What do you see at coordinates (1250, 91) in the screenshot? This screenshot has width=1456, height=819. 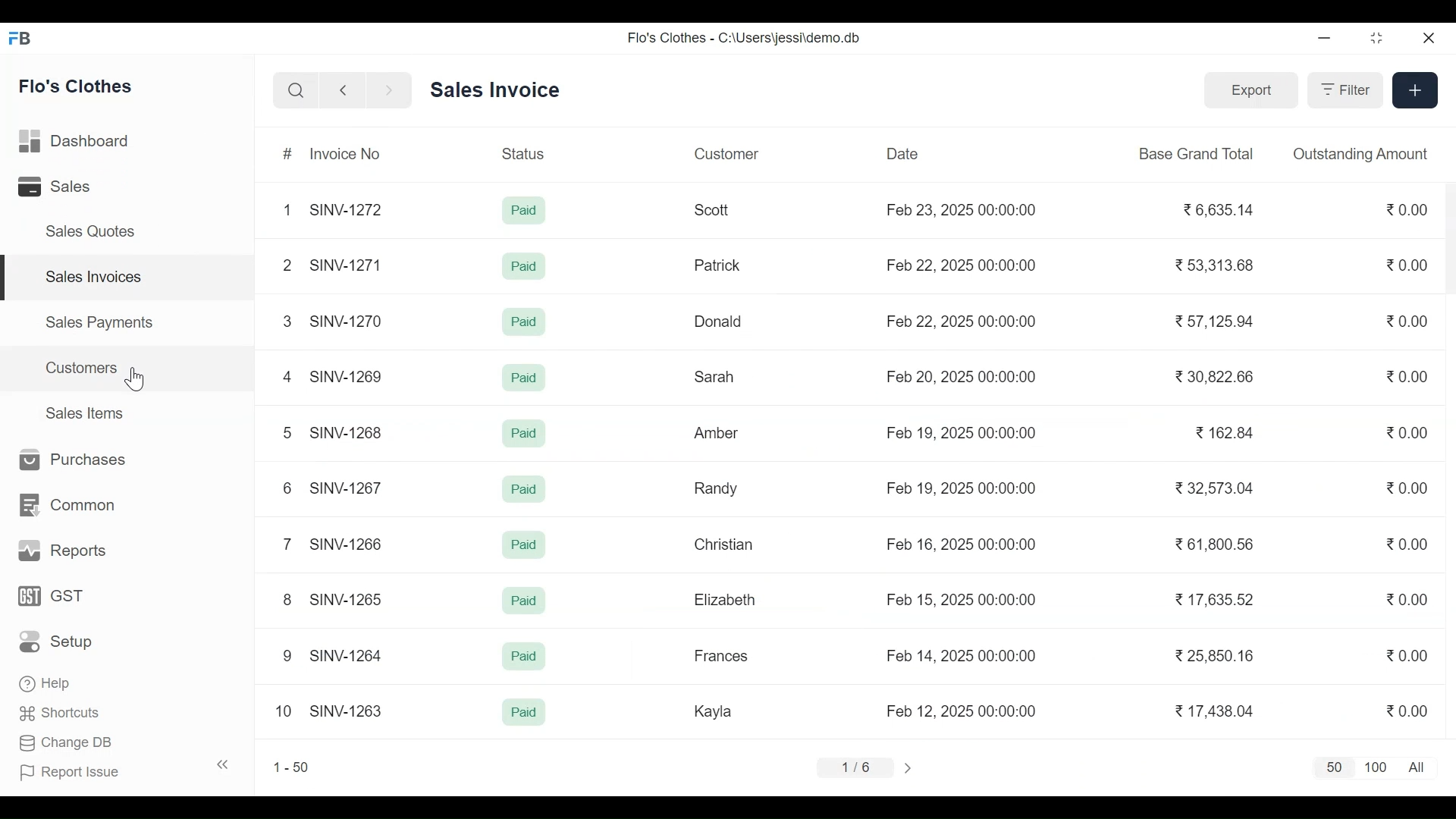 I see `Export` at bounding box center [1250, 91].